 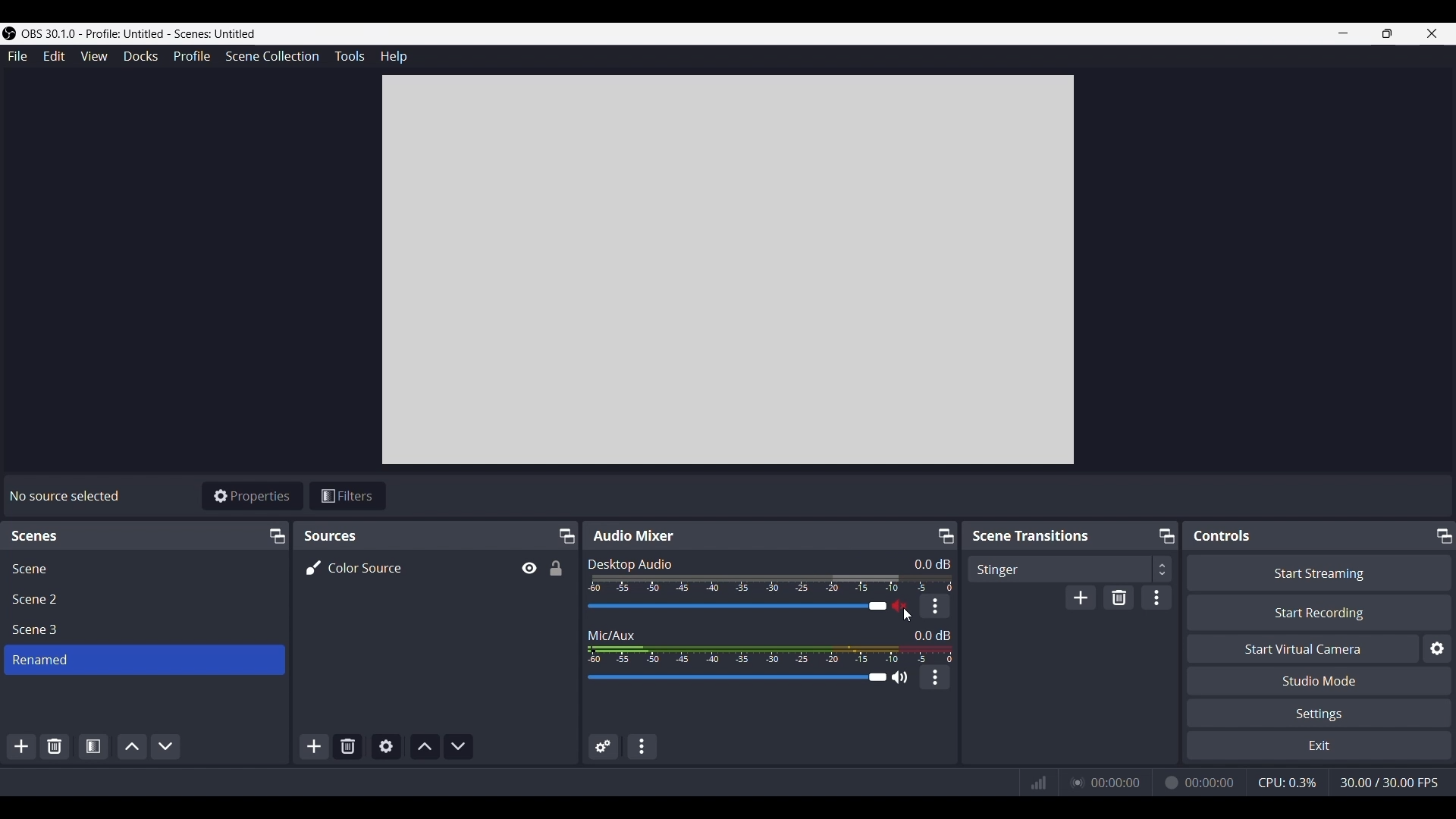 What do you see at coordinates (934, 606) in the screenshot?
I see `Desktop audio properties` at bounding box center [934, 606].